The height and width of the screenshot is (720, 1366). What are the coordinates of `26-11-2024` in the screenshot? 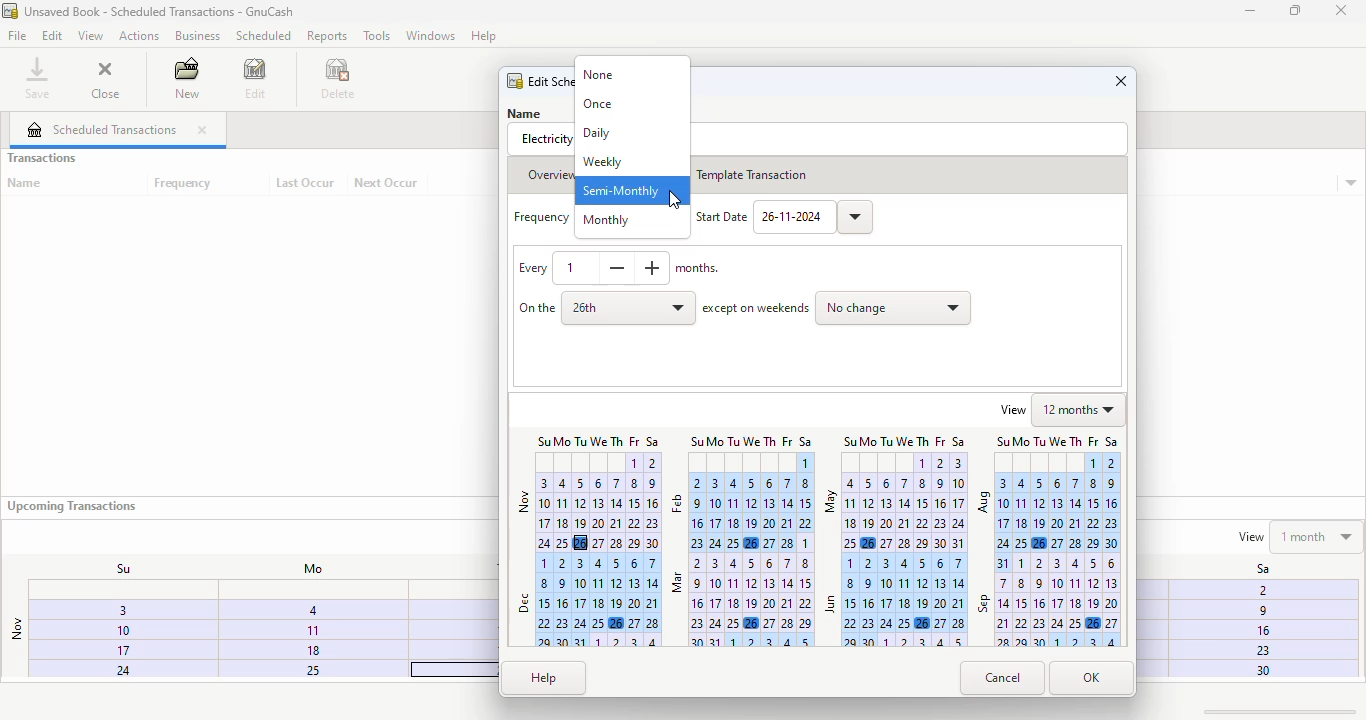 It's located at (814, 217).